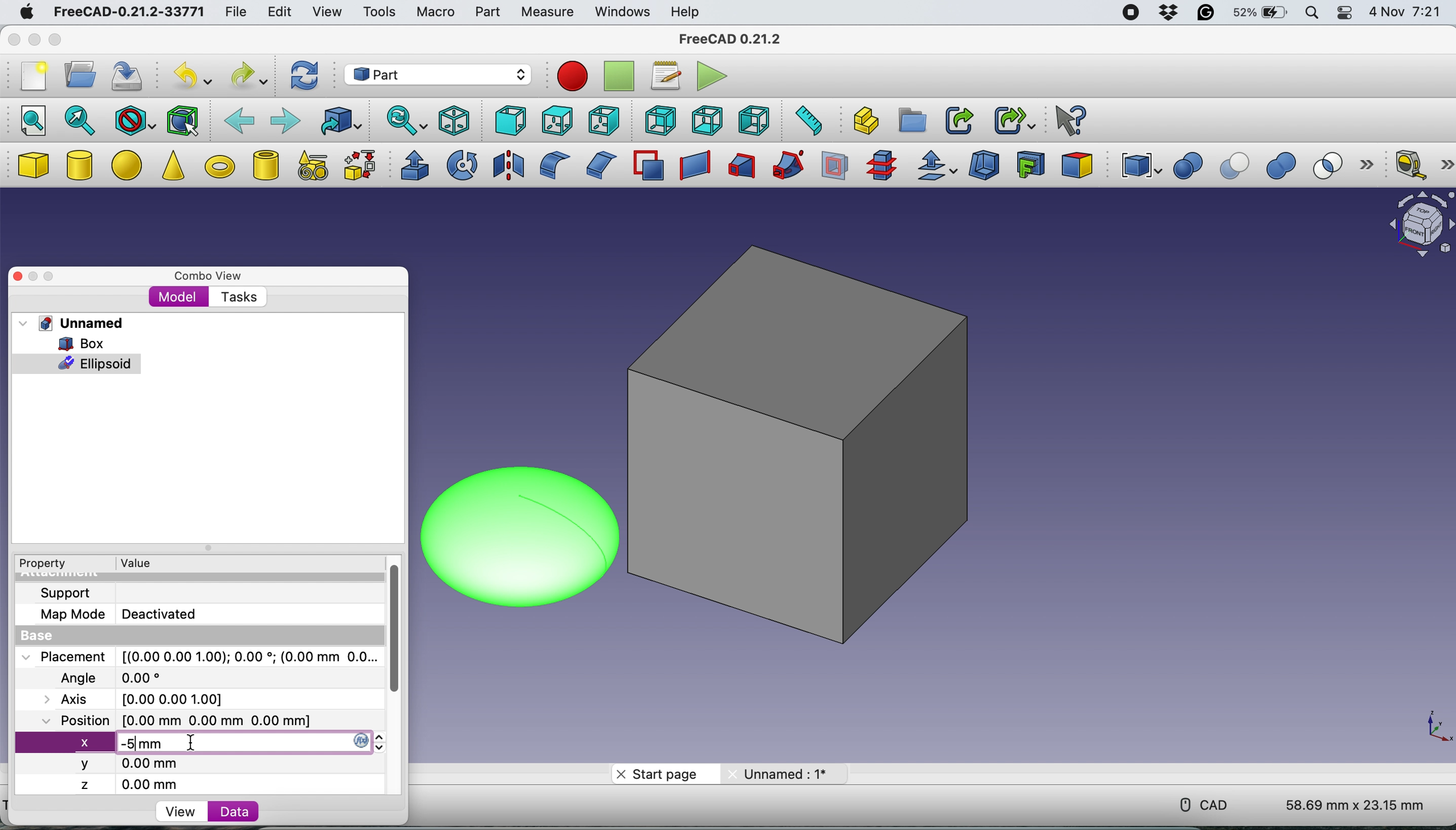 The height and width of the screenshot is (830, 1456). Describe the element at coordinates (219, 166) in the screenshot. I see `torus` at that location.